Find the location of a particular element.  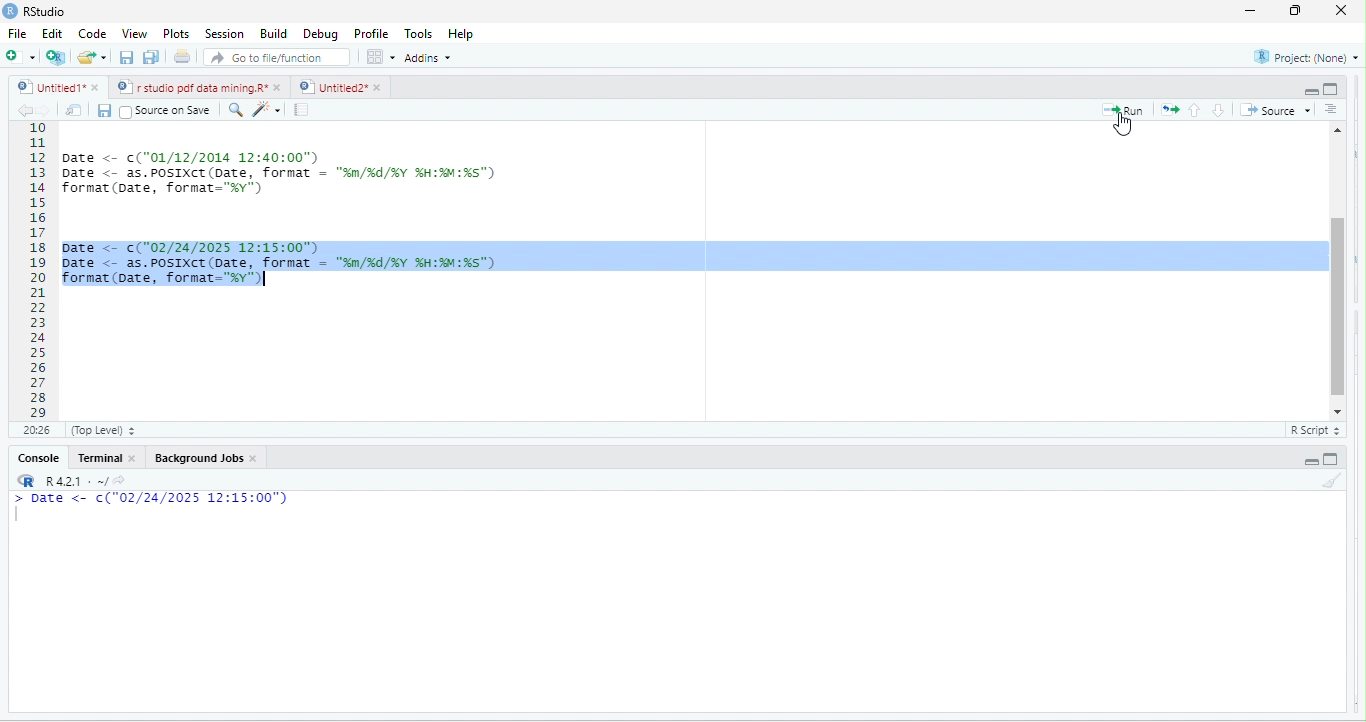

go to file/function is located at coordinates (272, 60).